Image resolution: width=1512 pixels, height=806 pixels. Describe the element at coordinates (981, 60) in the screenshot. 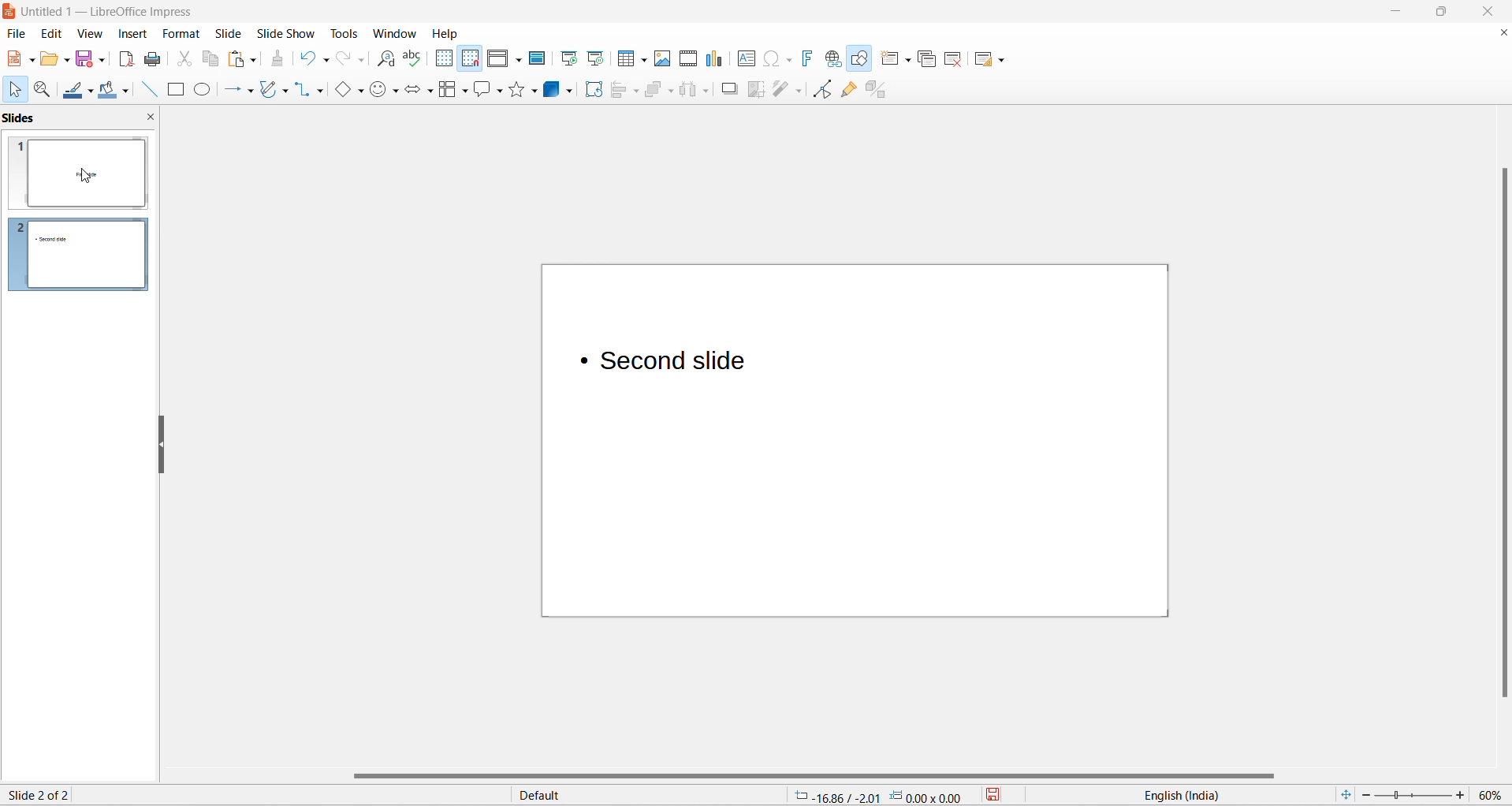

I see `slide layout` at that location.